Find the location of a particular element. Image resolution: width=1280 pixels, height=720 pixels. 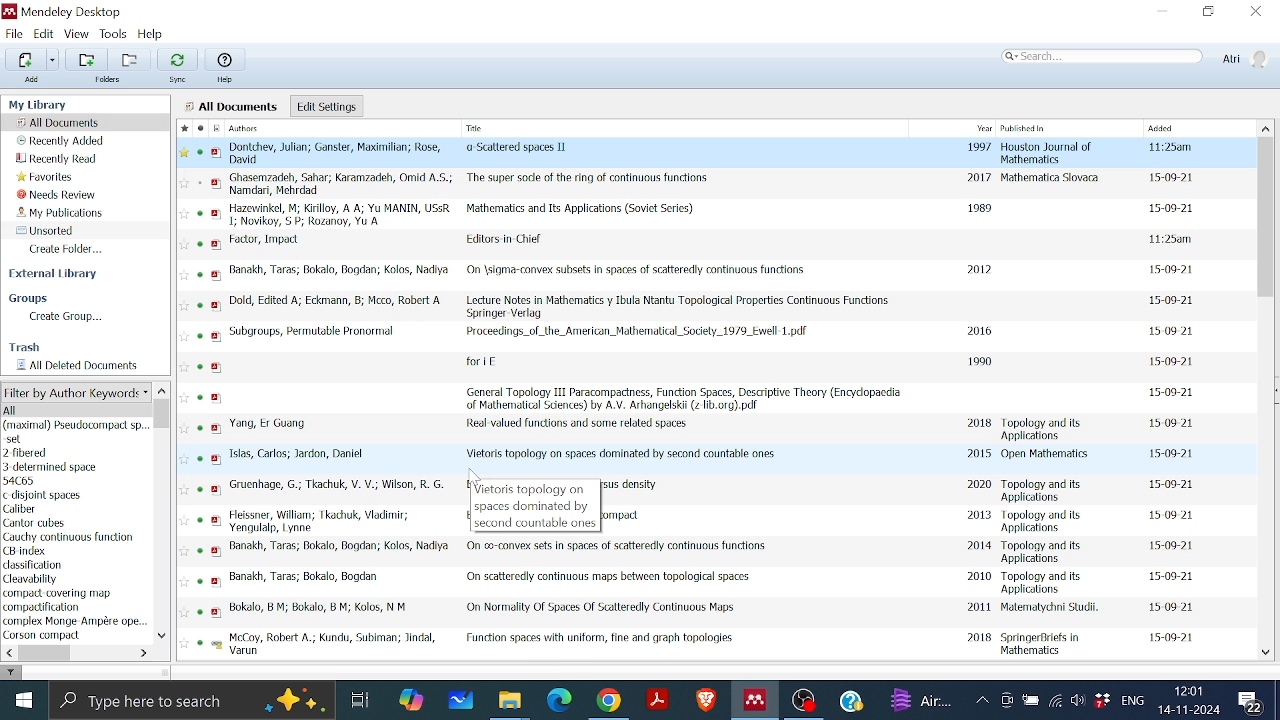

read status is located at coordinates (200, 216).